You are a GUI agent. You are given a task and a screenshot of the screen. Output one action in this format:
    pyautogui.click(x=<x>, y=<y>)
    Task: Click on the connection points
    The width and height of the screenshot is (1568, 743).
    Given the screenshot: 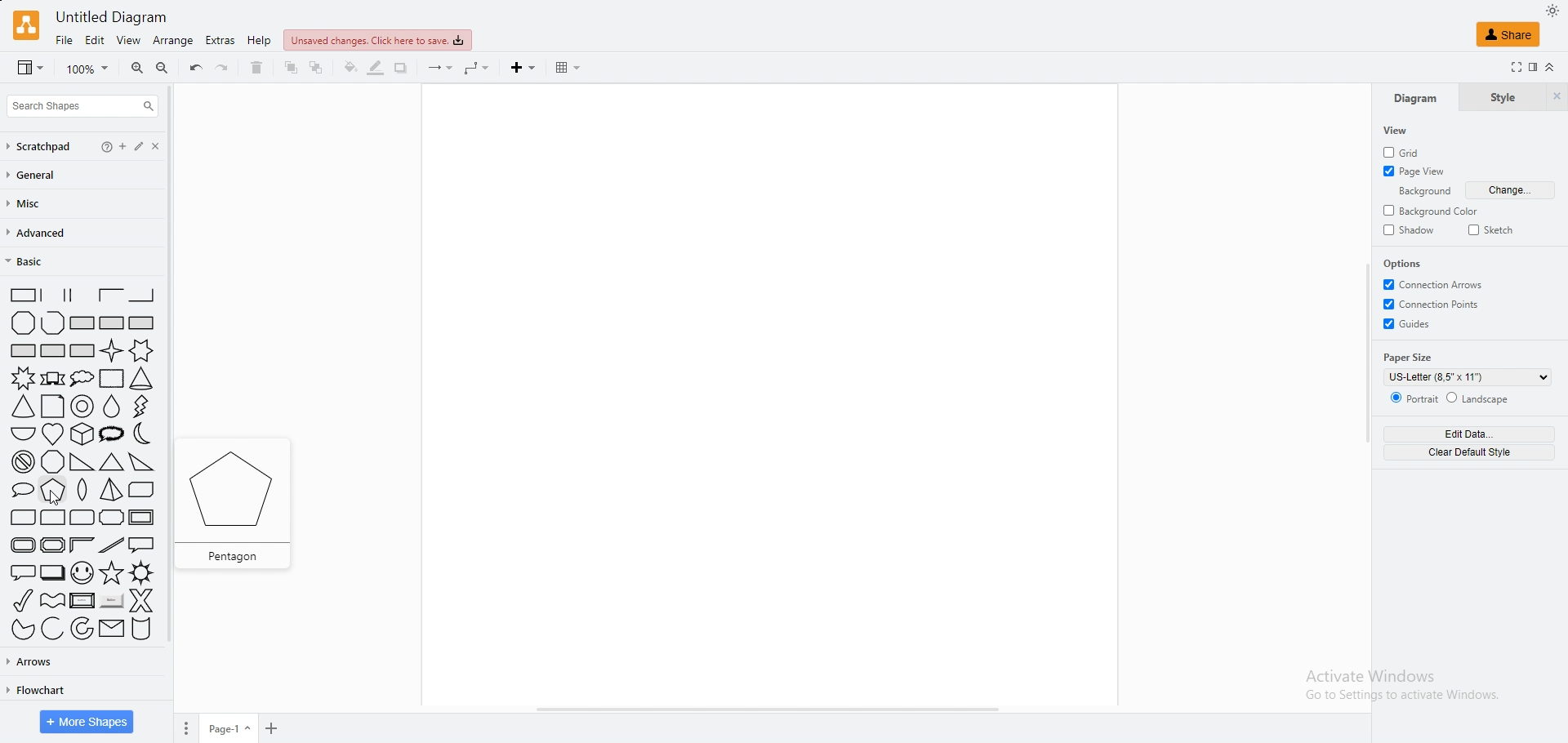 What is the action you would take?
    pyautogui.click(x=1434, y=304)
    